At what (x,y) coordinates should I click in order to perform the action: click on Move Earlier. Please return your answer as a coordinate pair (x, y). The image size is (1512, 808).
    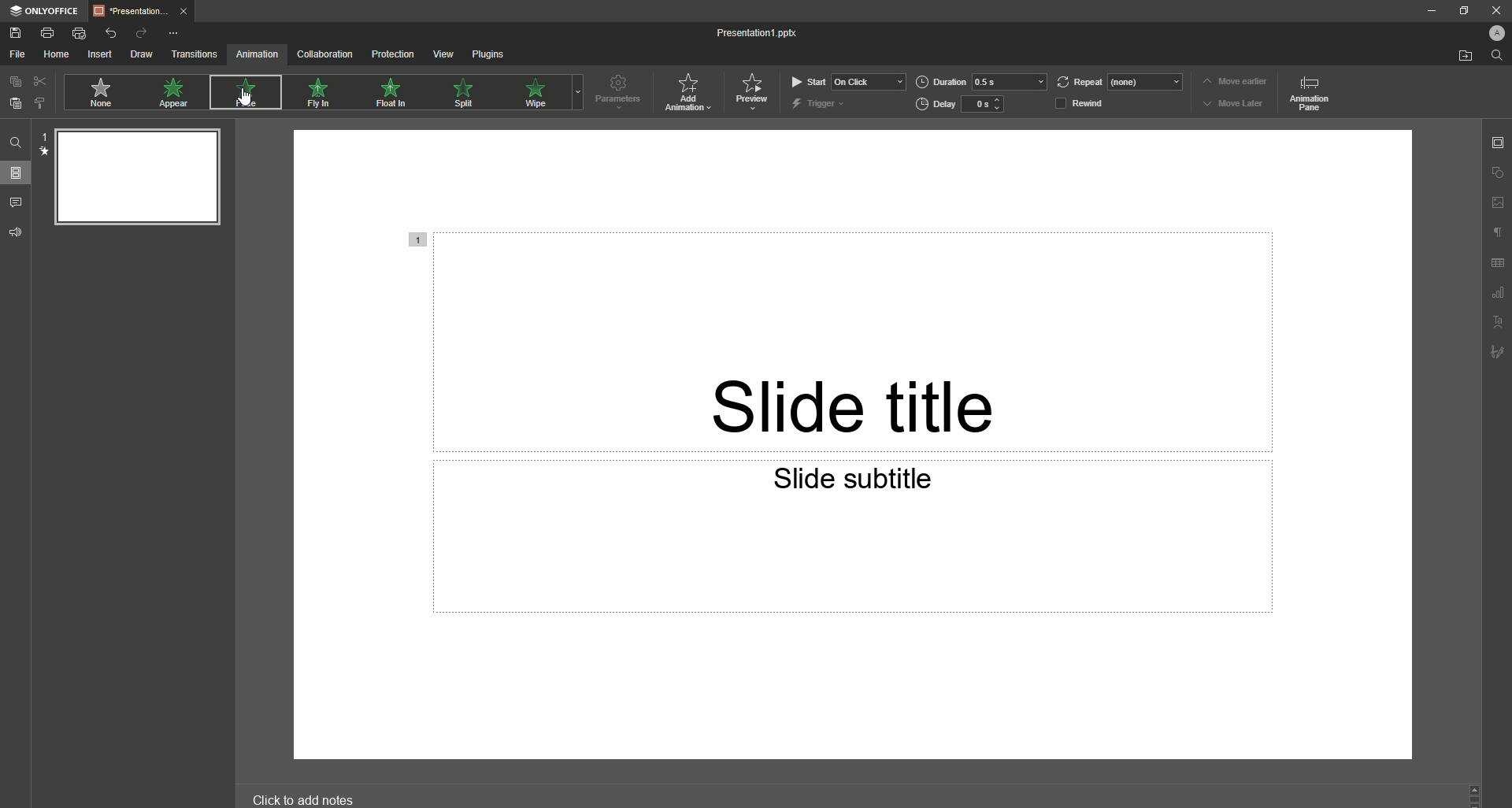
    Looking at the image, I should click on (1234, 83).